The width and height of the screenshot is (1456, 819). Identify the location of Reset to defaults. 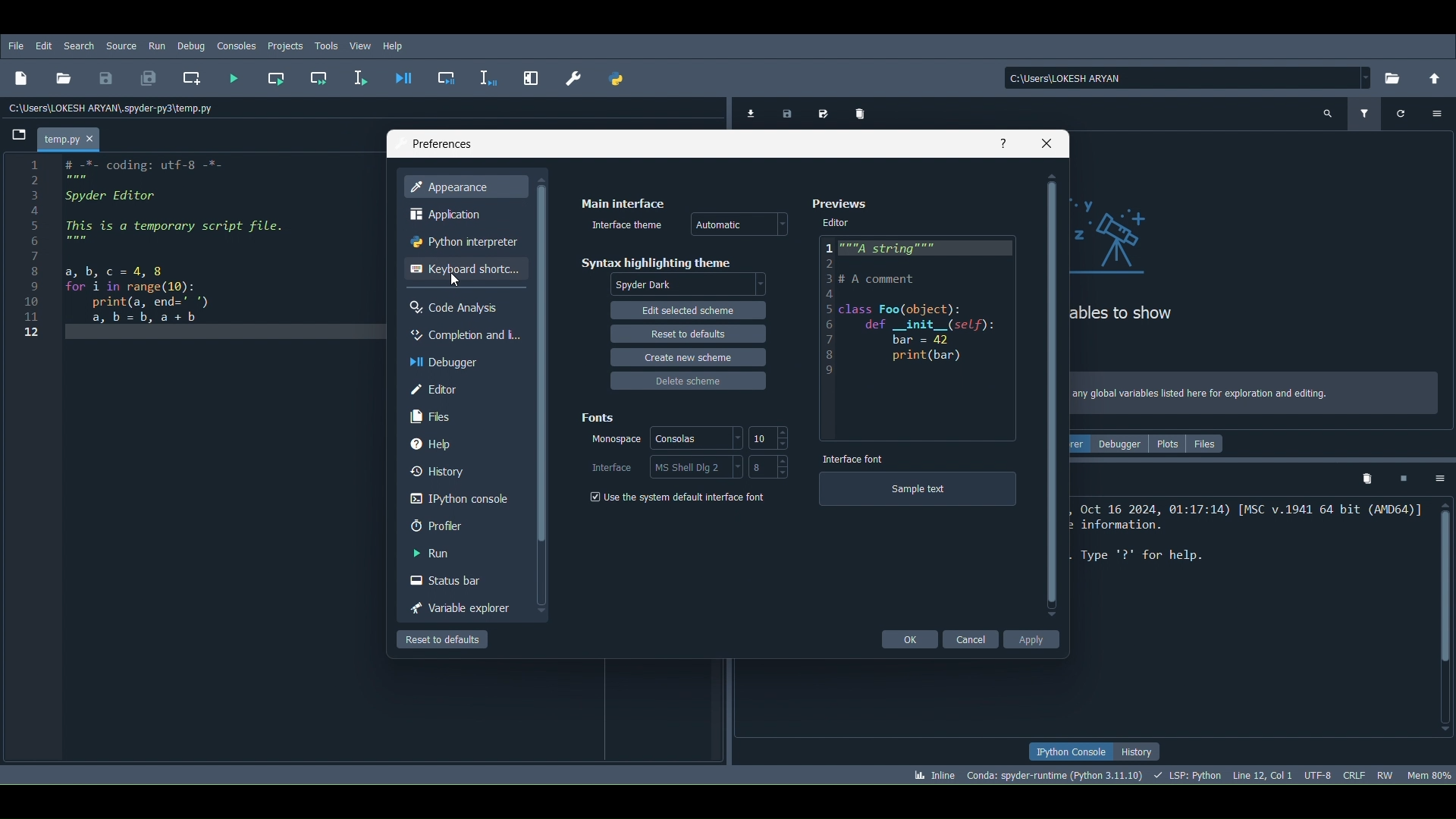
(686, 334).